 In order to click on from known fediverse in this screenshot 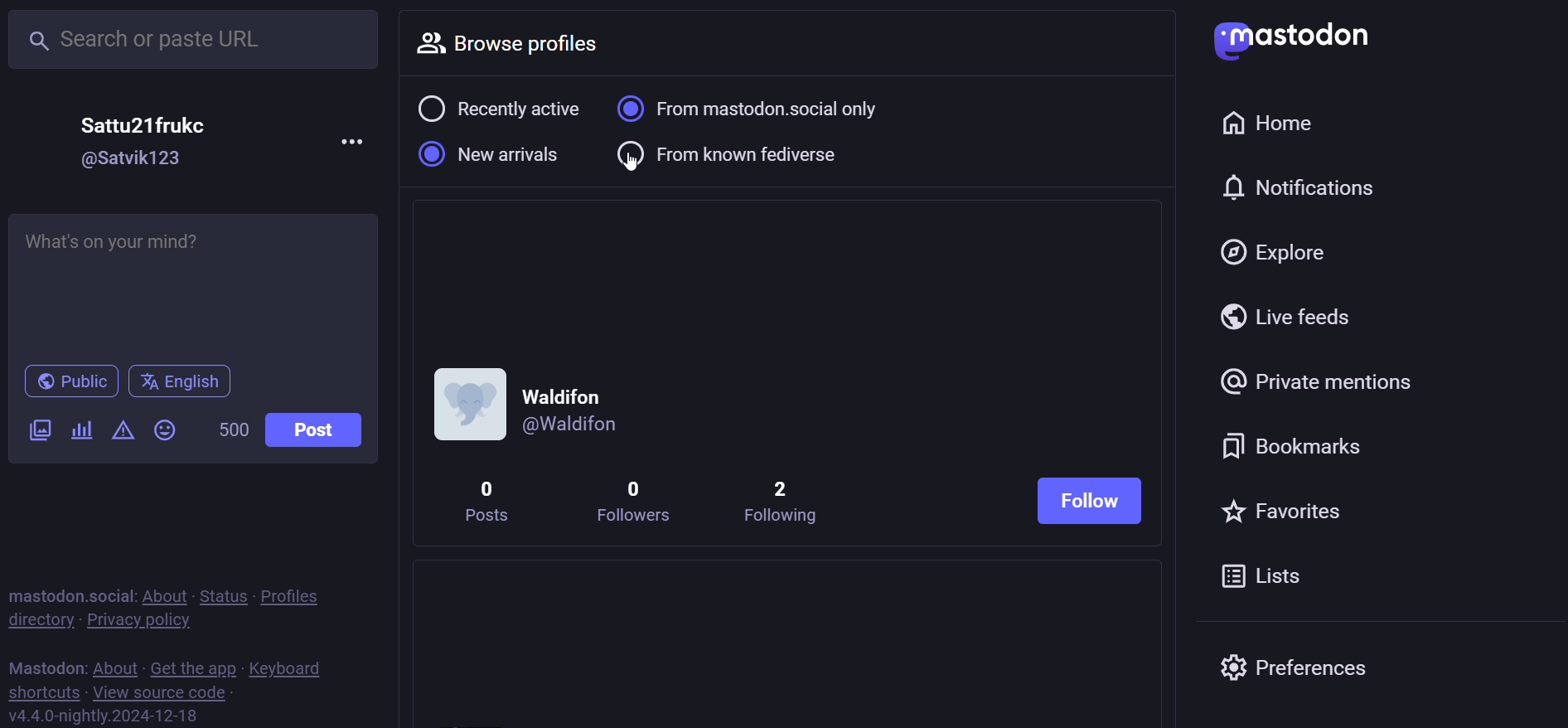, I will do `click(738, 154)`.